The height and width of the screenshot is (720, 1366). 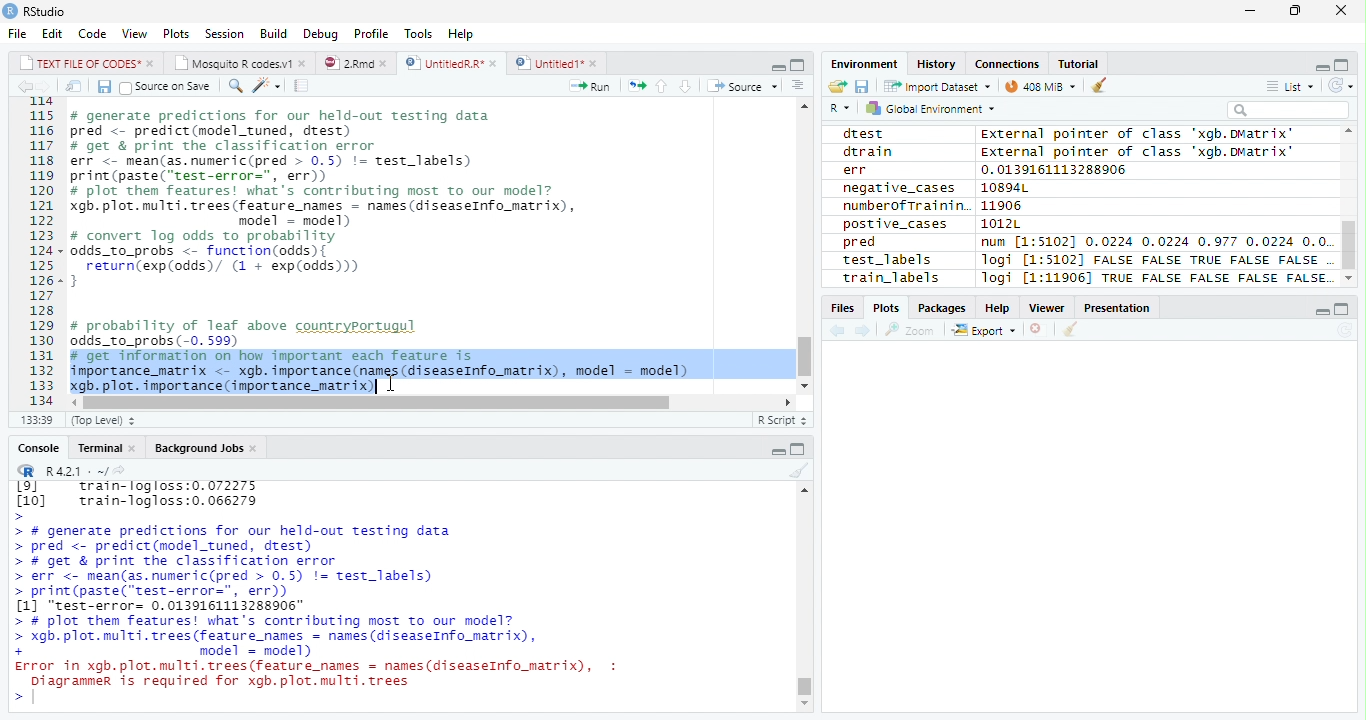 I want to click on R, so click(x=24, y=470).